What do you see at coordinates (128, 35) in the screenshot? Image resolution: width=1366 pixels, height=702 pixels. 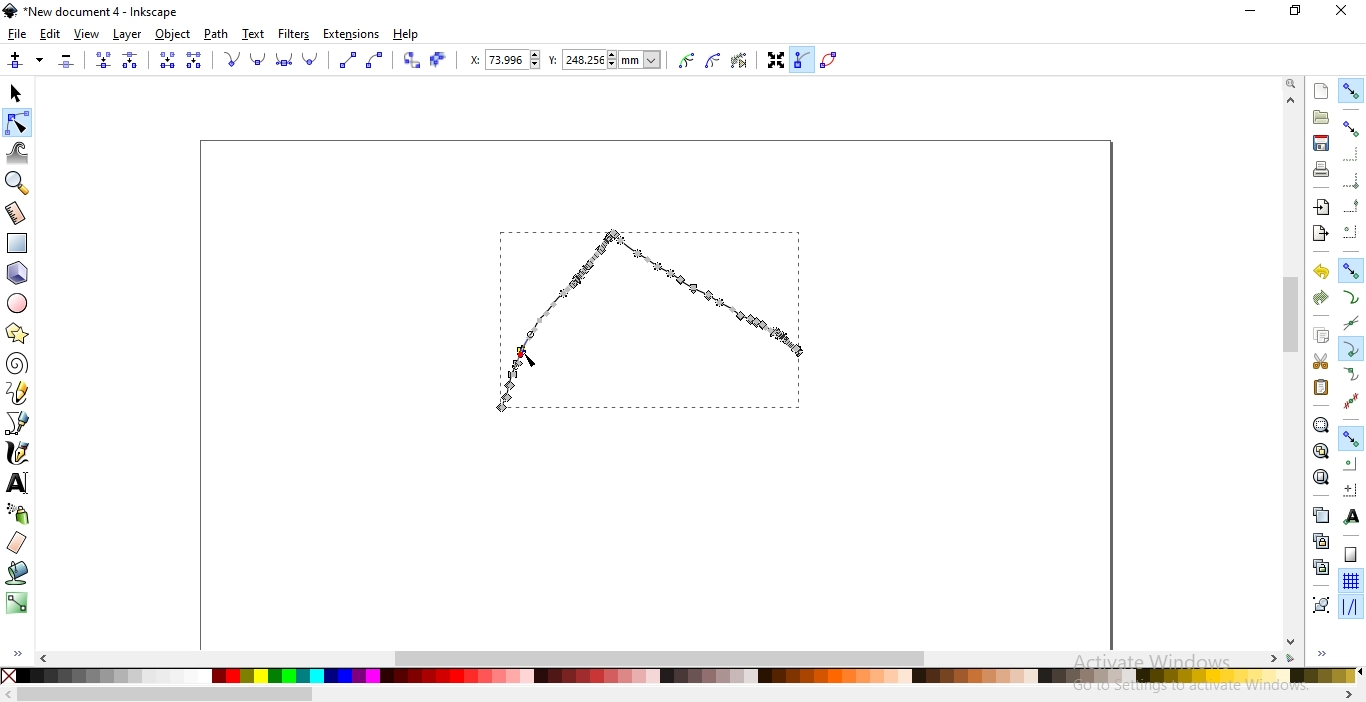 I see `layer` at bounding box center [128, 35].